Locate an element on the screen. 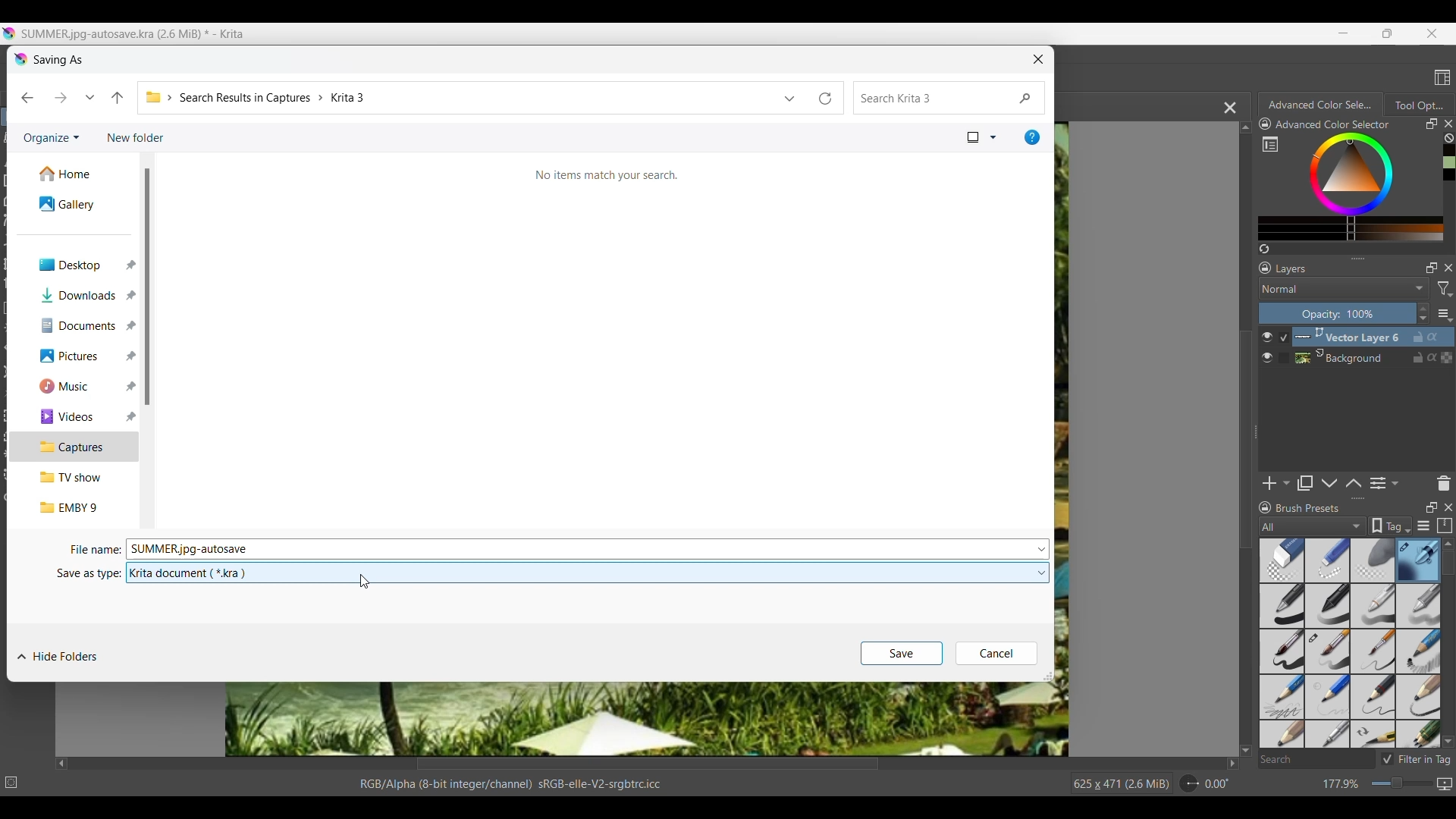 This screenshot has height=819, width=1456. Pictures folder is located at coordinates (74, 356).